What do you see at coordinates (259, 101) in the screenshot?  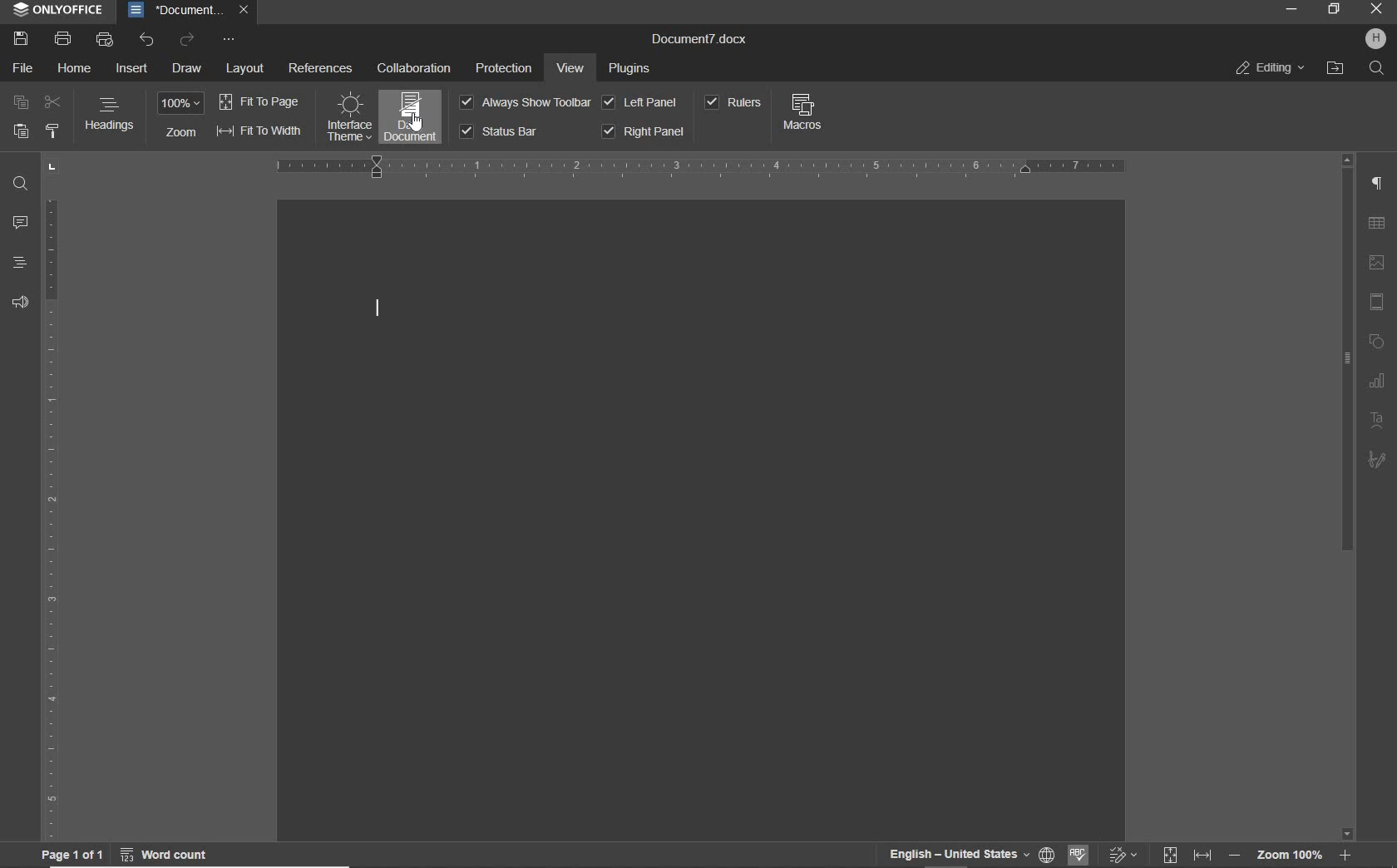 I see `FIT TO PAGE` at bounding box center [259, 101].